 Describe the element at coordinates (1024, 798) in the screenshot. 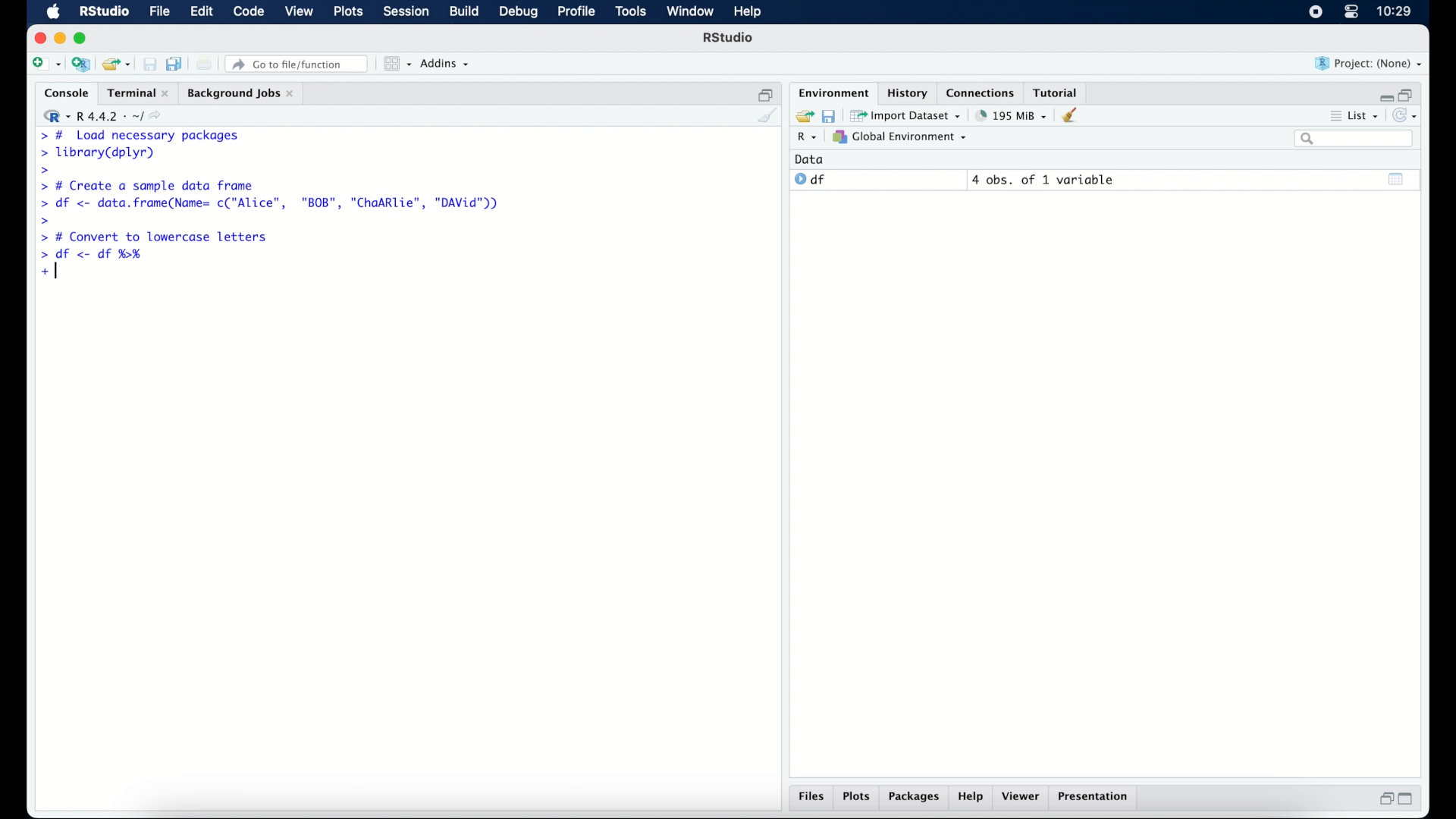

I see `viewer` at that location.